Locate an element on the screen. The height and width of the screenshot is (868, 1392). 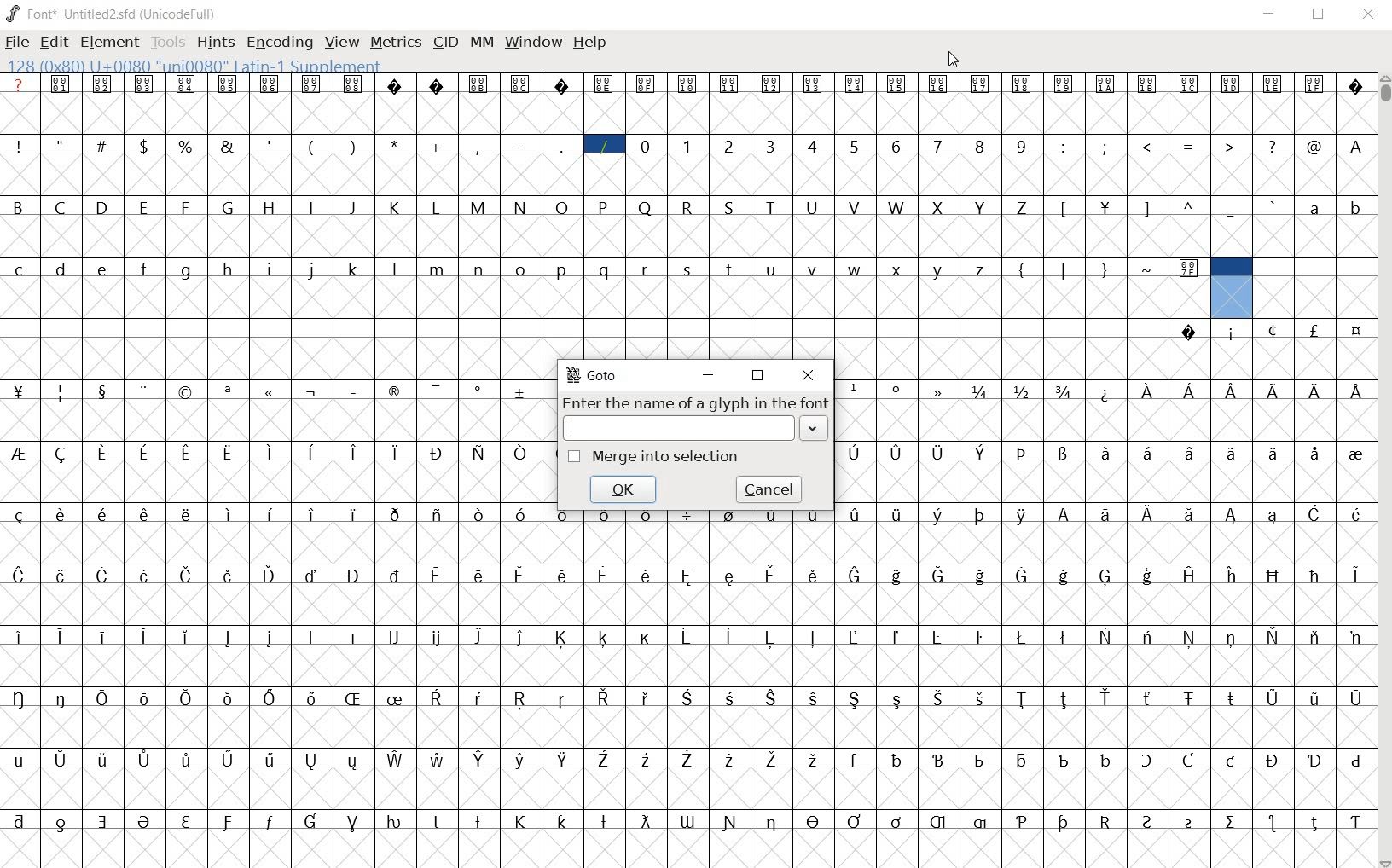
Symbol is located at coordinates (312, 84).